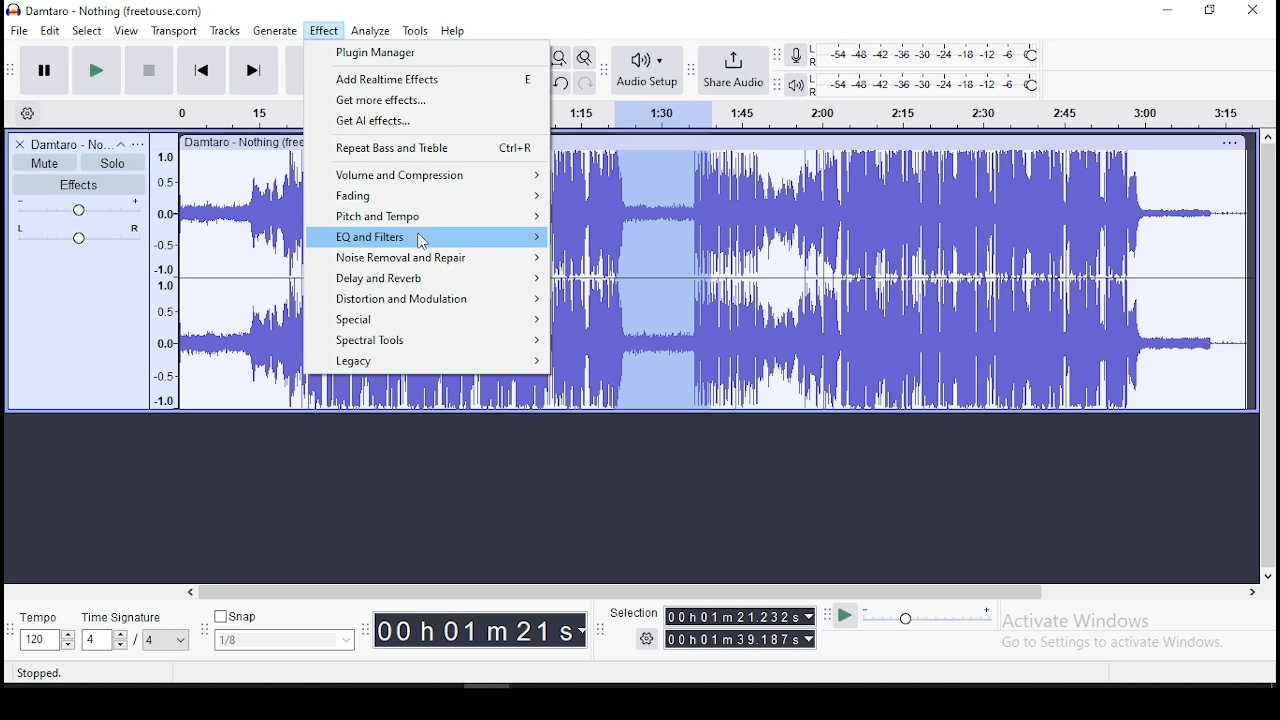 Image resolution: width=1280 pixels, height=720 pixels. I want to click on , so click(164, 279).